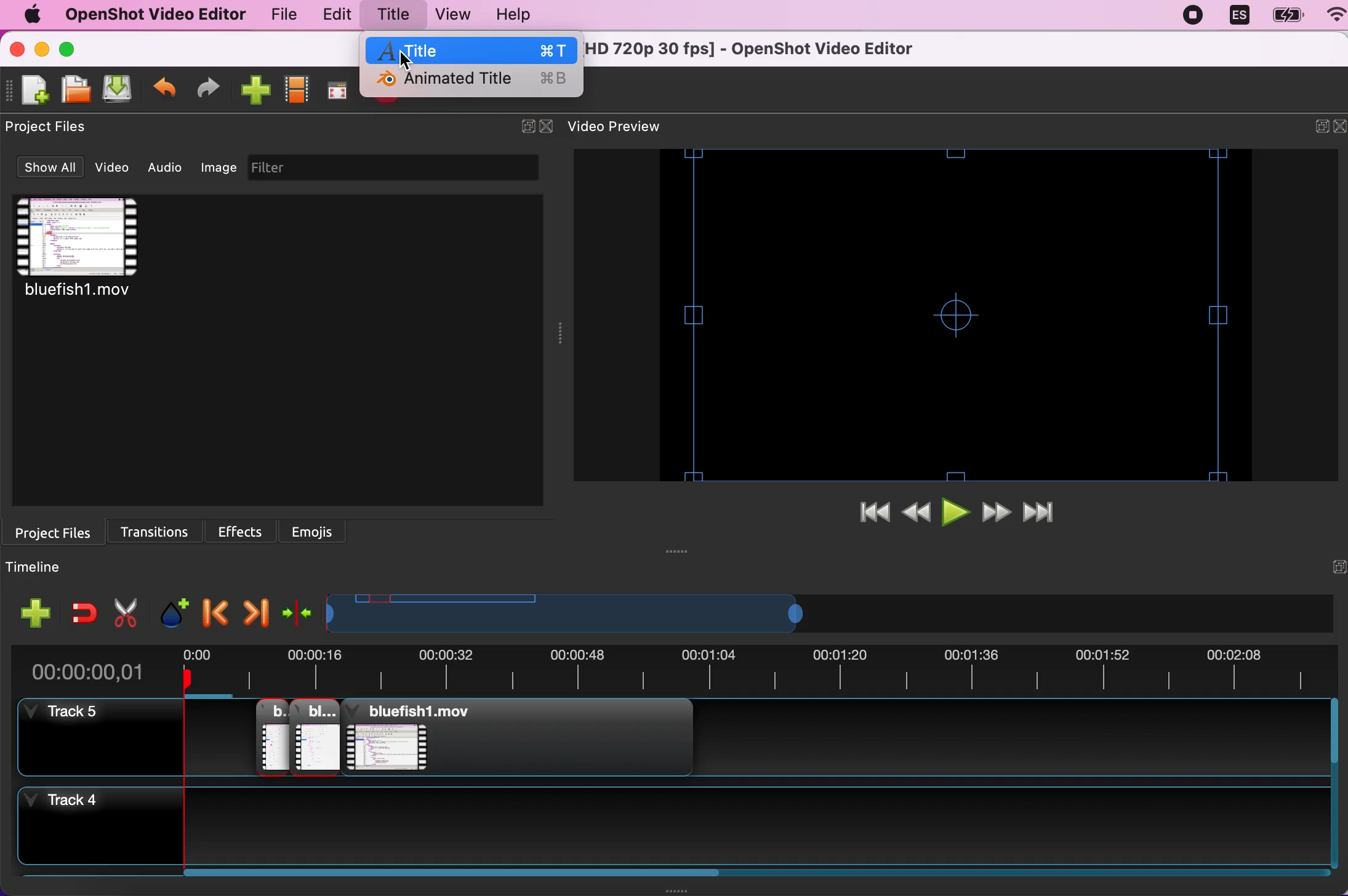 Image resolution: width=1348 pixels, height=896 pixels. What do you see at coordinates (524, 127) in the screenshot?
I see `expand/hide` at bounding box center [524, 127].